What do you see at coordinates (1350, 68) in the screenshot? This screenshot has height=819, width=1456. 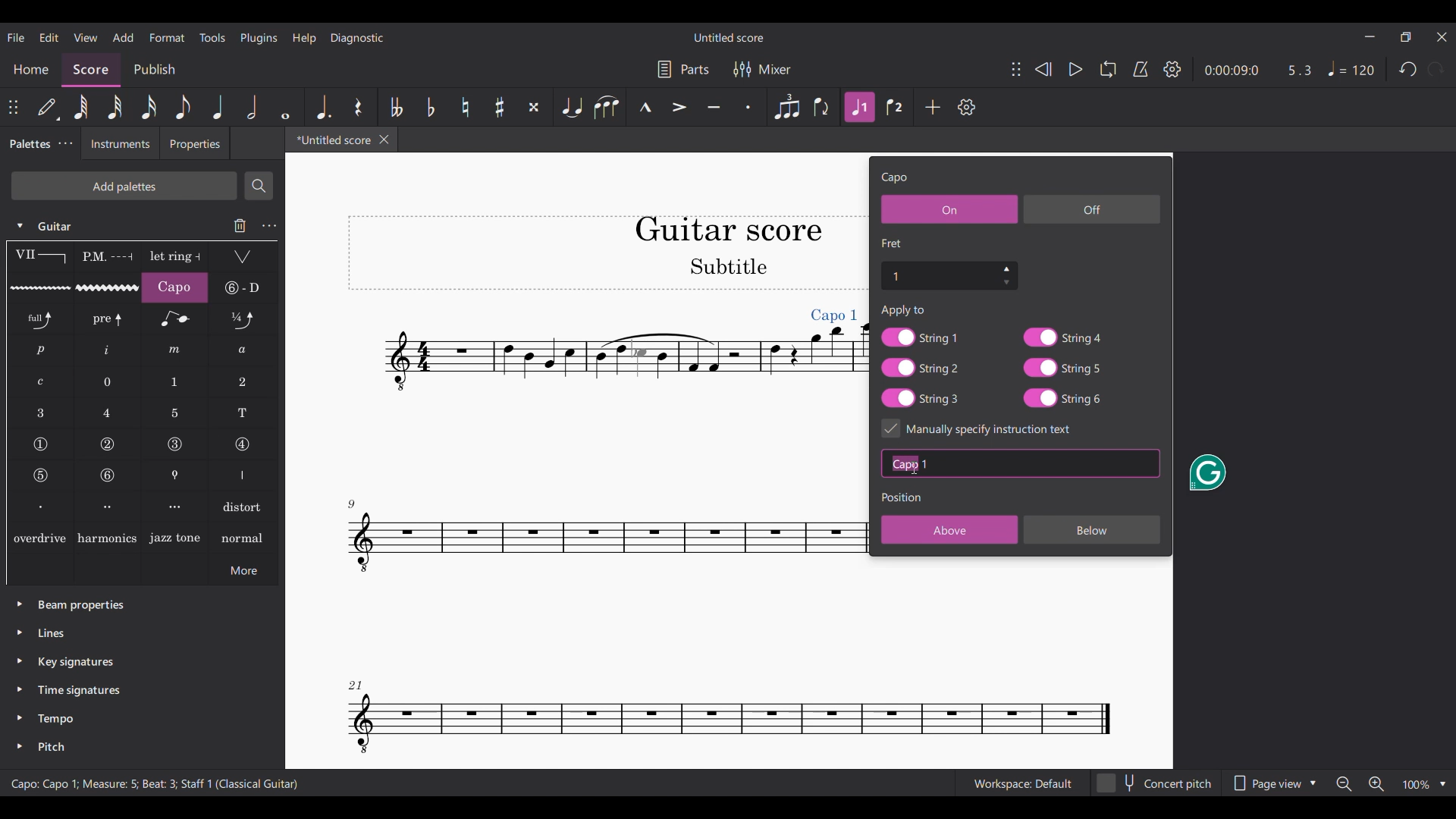 I see `Tempo` at bounding box center [1350, 68].